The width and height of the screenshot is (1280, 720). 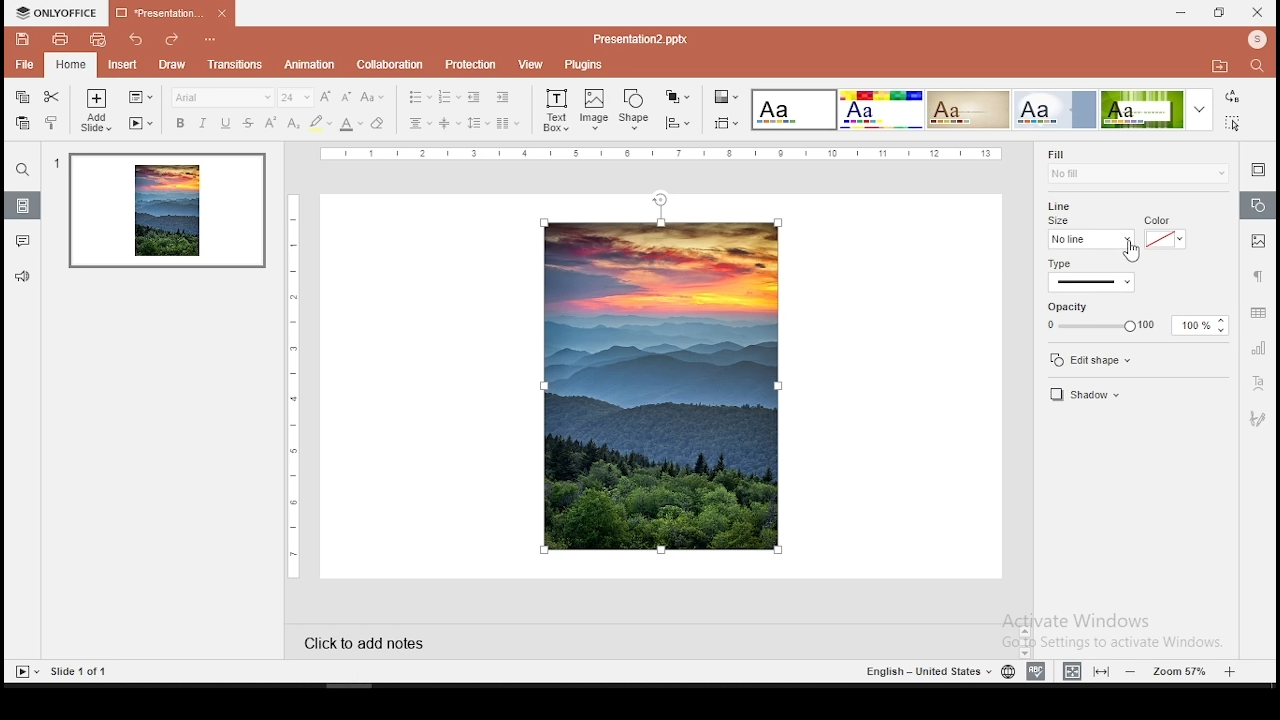 What do you see at coordinates (1128, 252) in the screenshot?
I see `mouse pointer` at bounding box center [1128, 252].